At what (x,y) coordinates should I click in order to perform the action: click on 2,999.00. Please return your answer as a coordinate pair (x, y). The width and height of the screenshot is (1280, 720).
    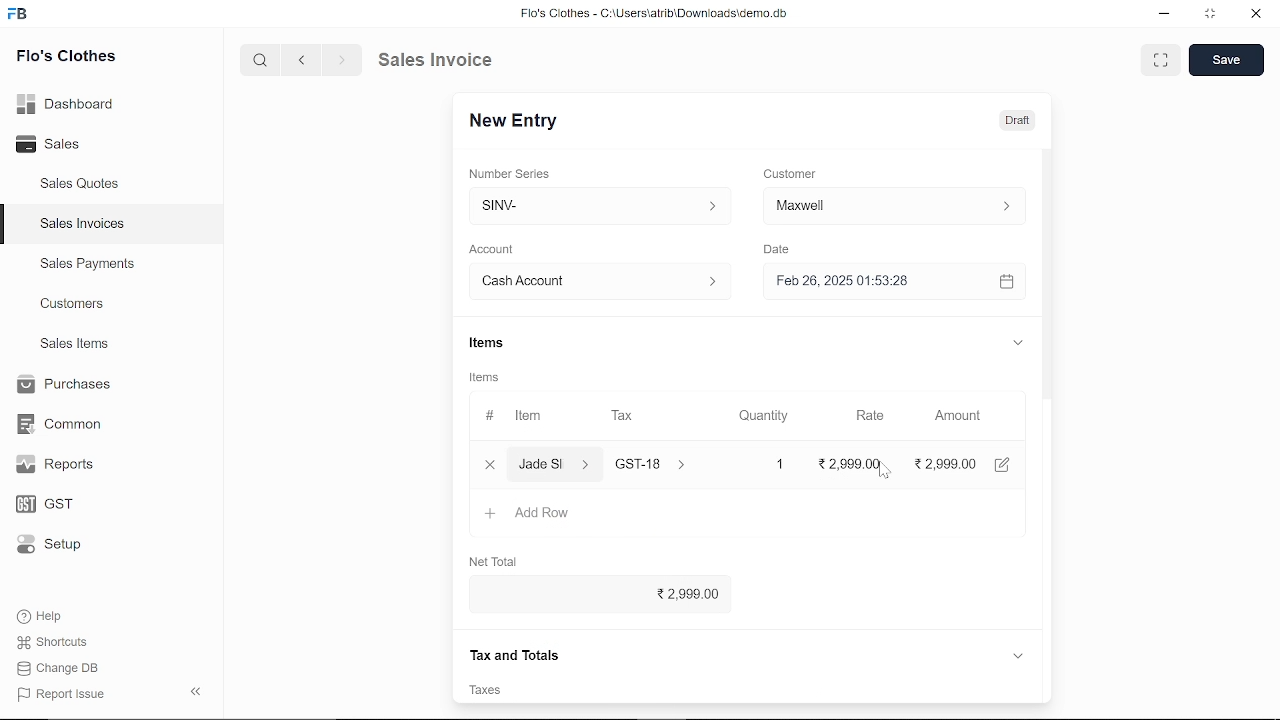
    Looking at the image, I should click on (948, 463).